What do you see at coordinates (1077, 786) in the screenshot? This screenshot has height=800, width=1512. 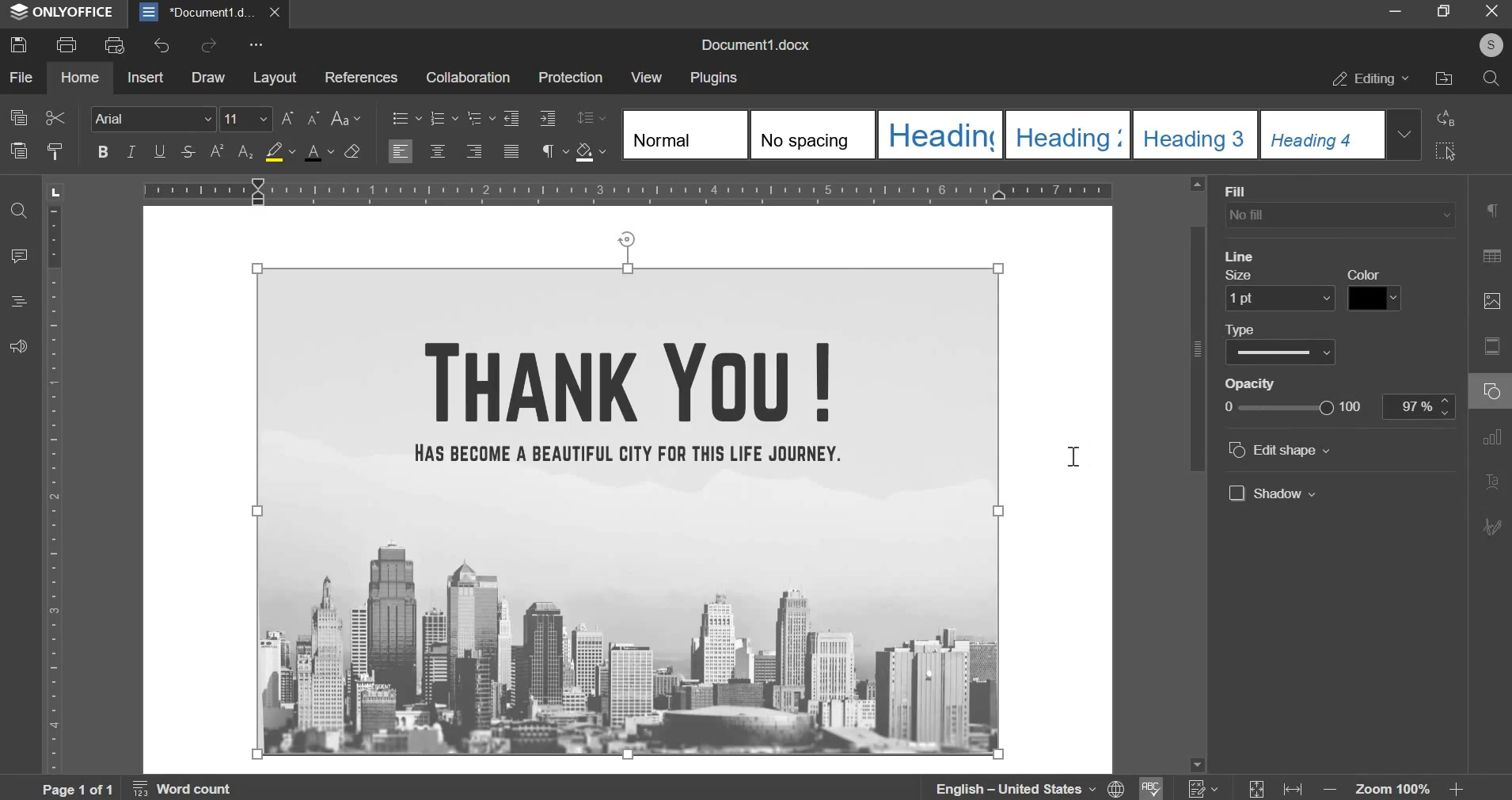 I see `language, spelling & numbers` at bounding box center [1077, 786].